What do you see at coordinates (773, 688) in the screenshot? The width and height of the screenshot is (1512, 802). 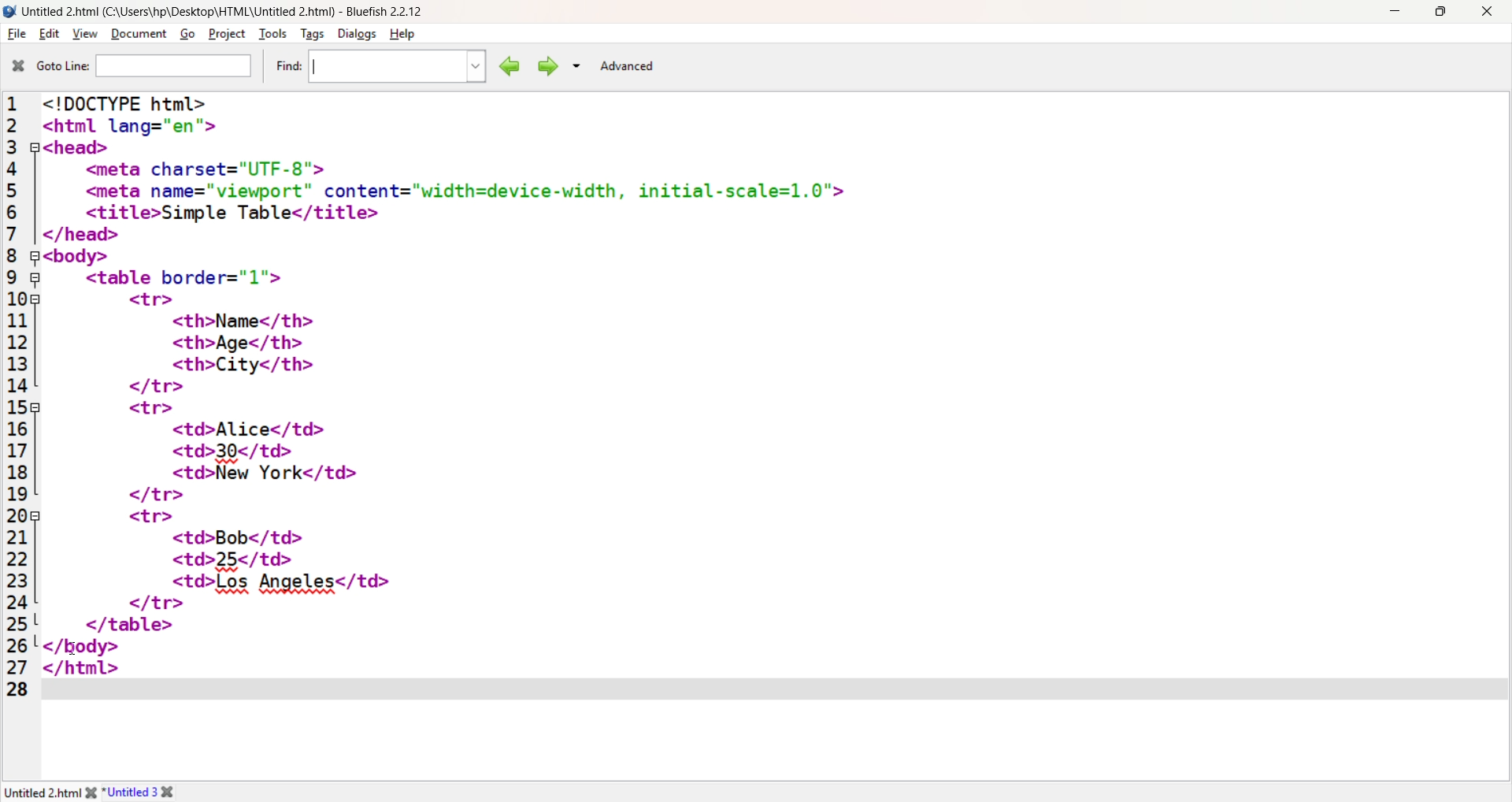 I see `Enter Text` at bounding box center [773, 688].